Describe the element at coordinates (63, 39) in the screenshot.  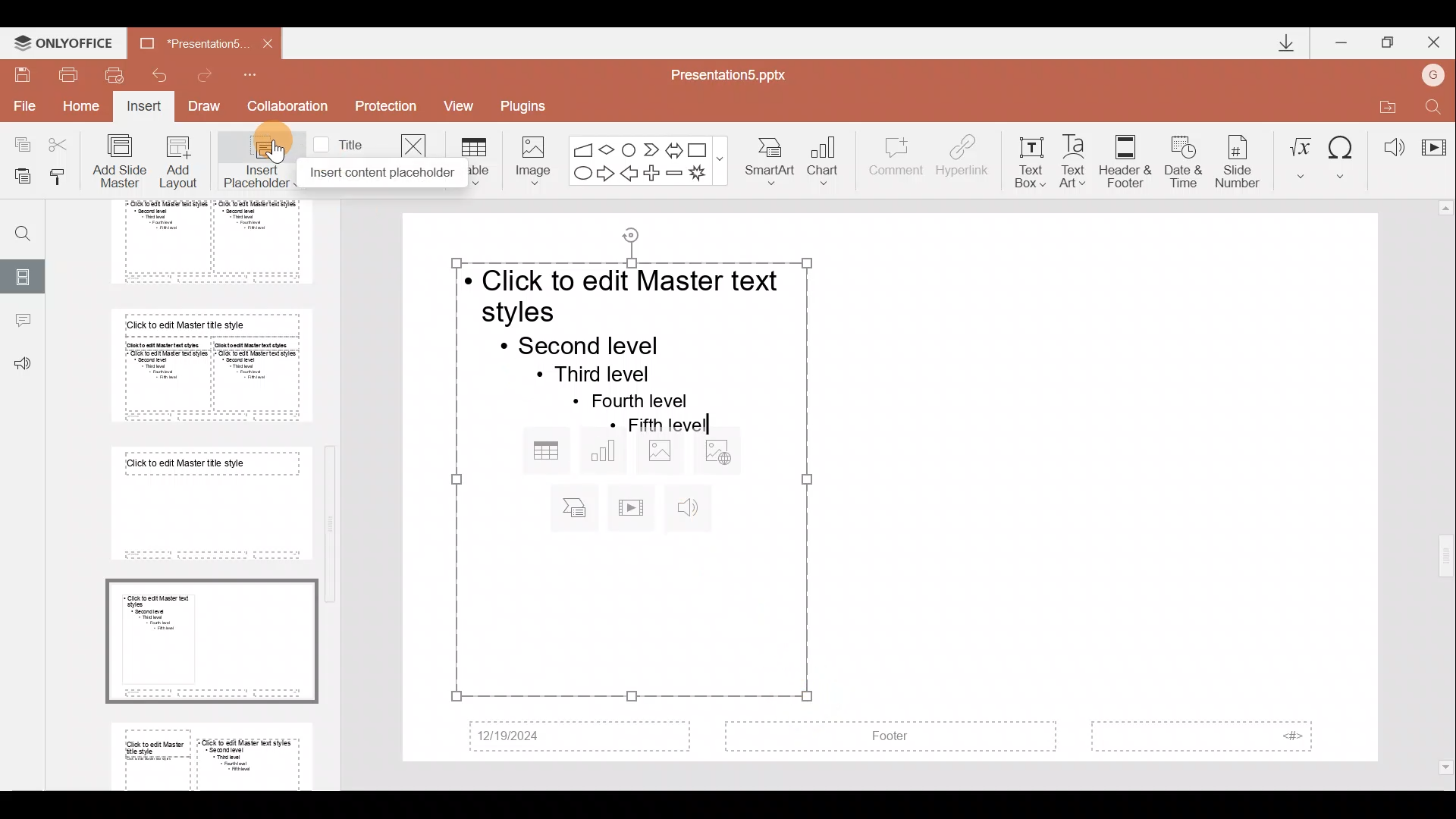
I see `ONLYOFFICE` at that location.